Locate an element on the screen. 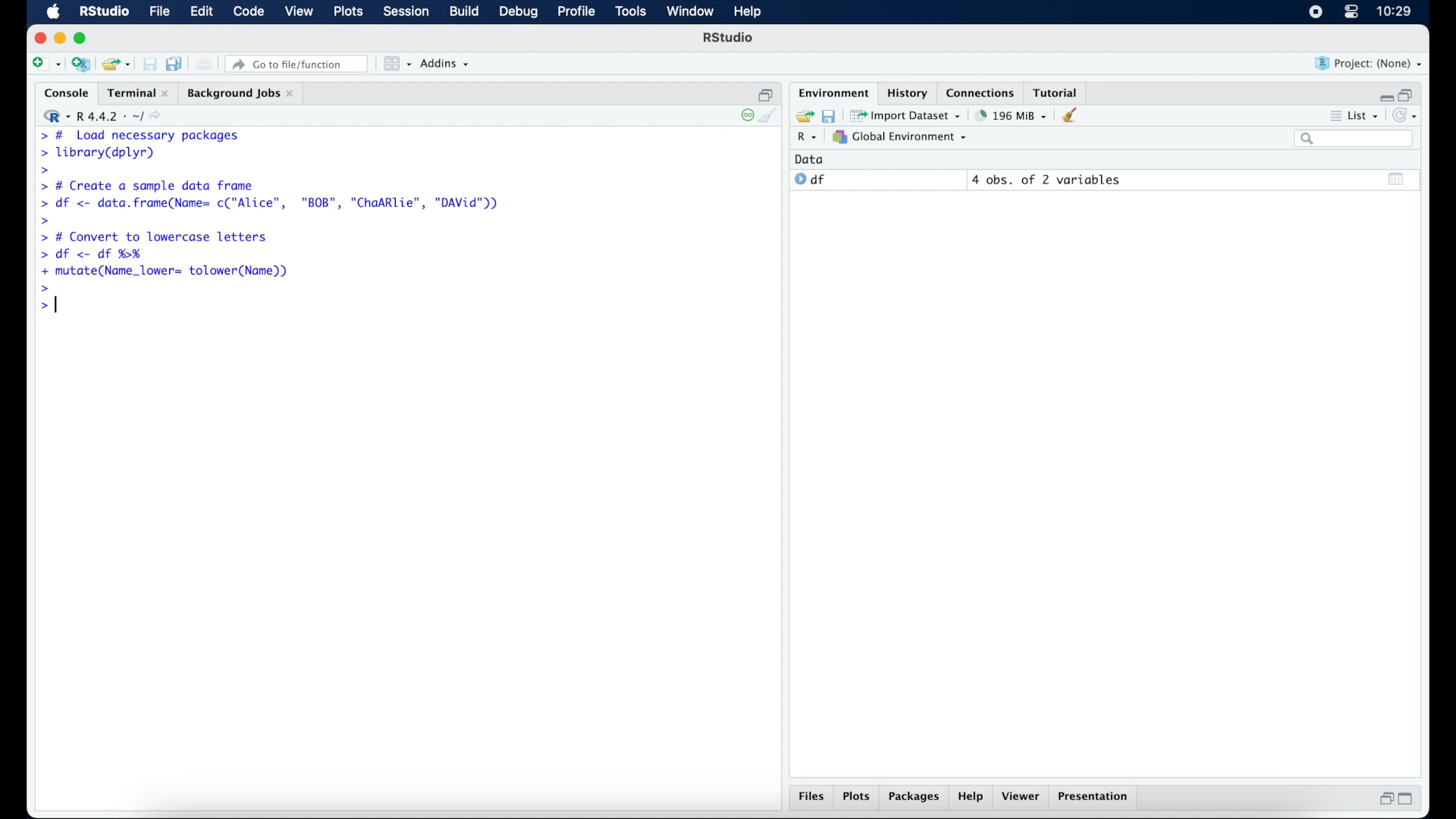 This screenshot has height=819, width=1456. Terminal is located at coordinates (133, 93).